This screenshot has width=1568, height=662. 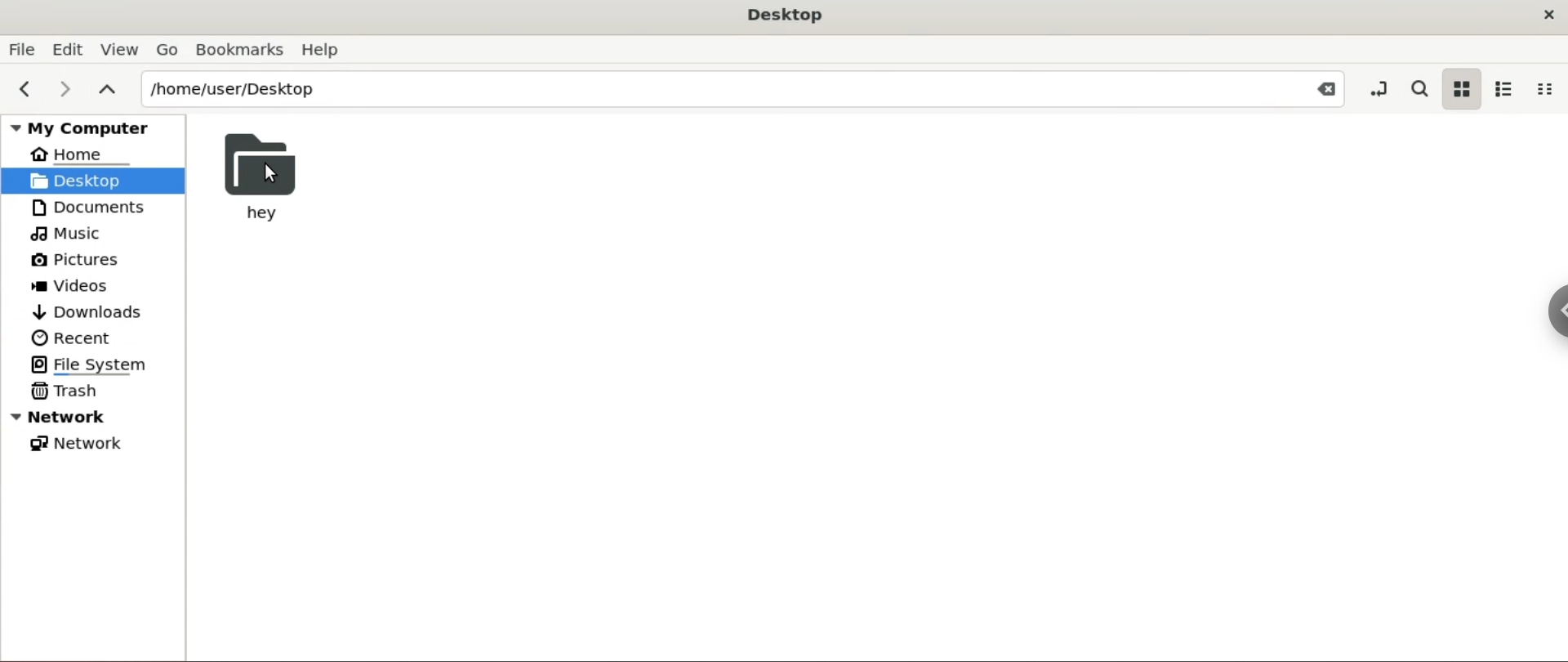 I want to click on Music, so click(x=71, y=233).